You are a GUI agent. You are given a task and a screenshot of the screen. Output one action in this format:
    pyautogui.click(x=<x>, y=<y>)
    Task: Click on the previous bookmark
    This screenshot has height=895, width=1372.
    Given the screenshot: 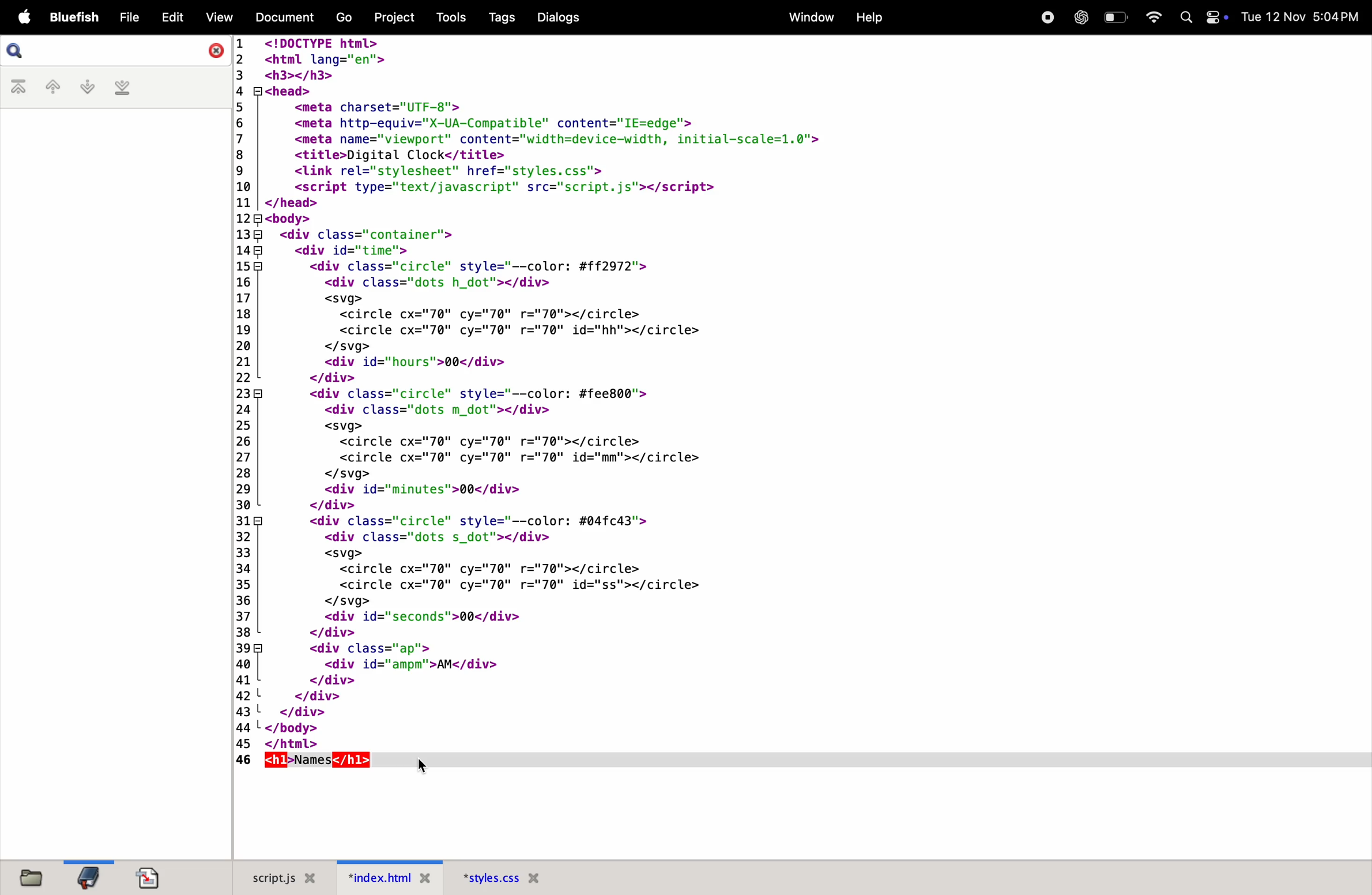 What is the action you would take?
    pyautogui.click(x=51, y=85)
    